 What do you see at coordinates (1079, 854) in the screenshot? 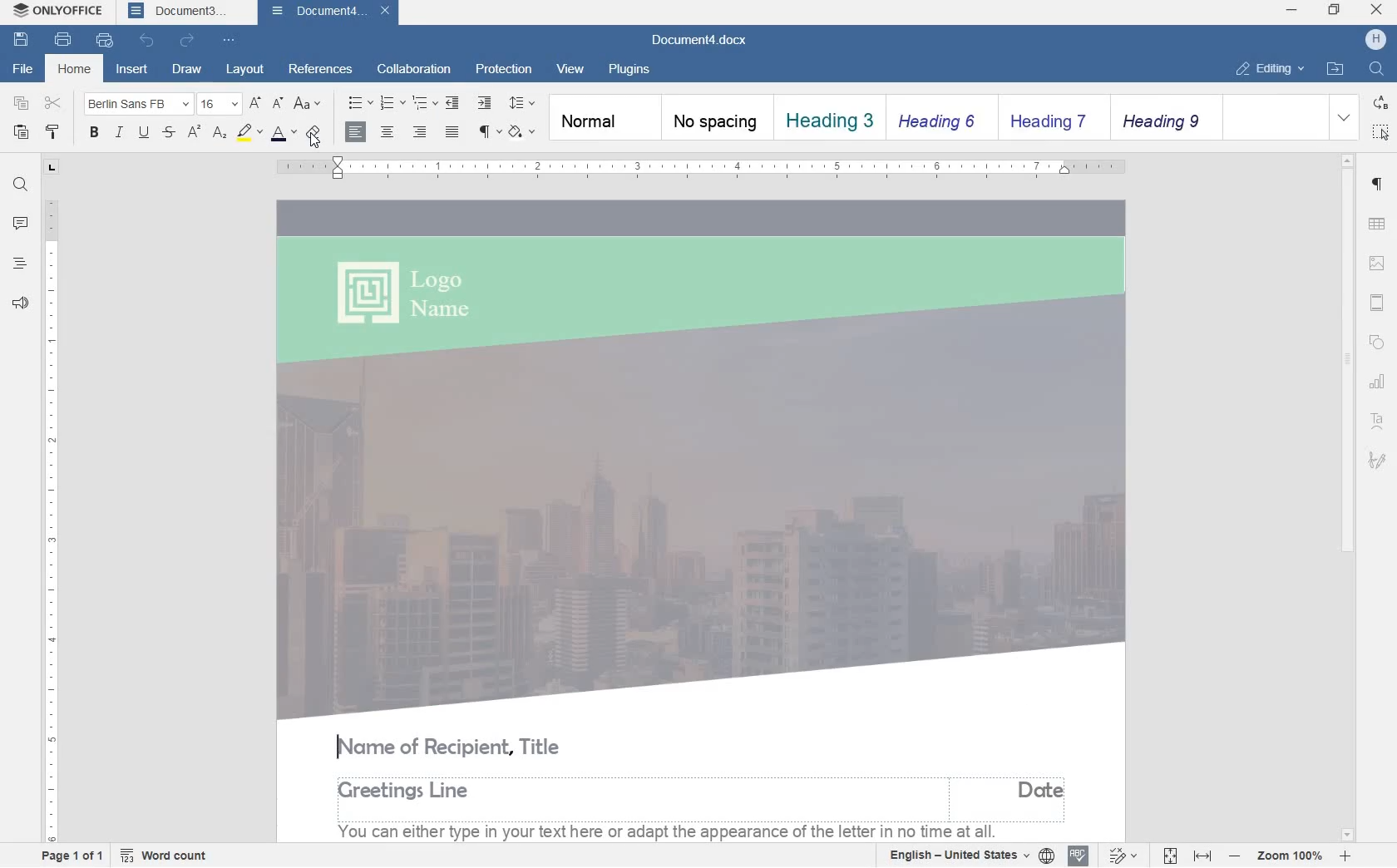
I see `spell check` at bounding box center [1079, 854].